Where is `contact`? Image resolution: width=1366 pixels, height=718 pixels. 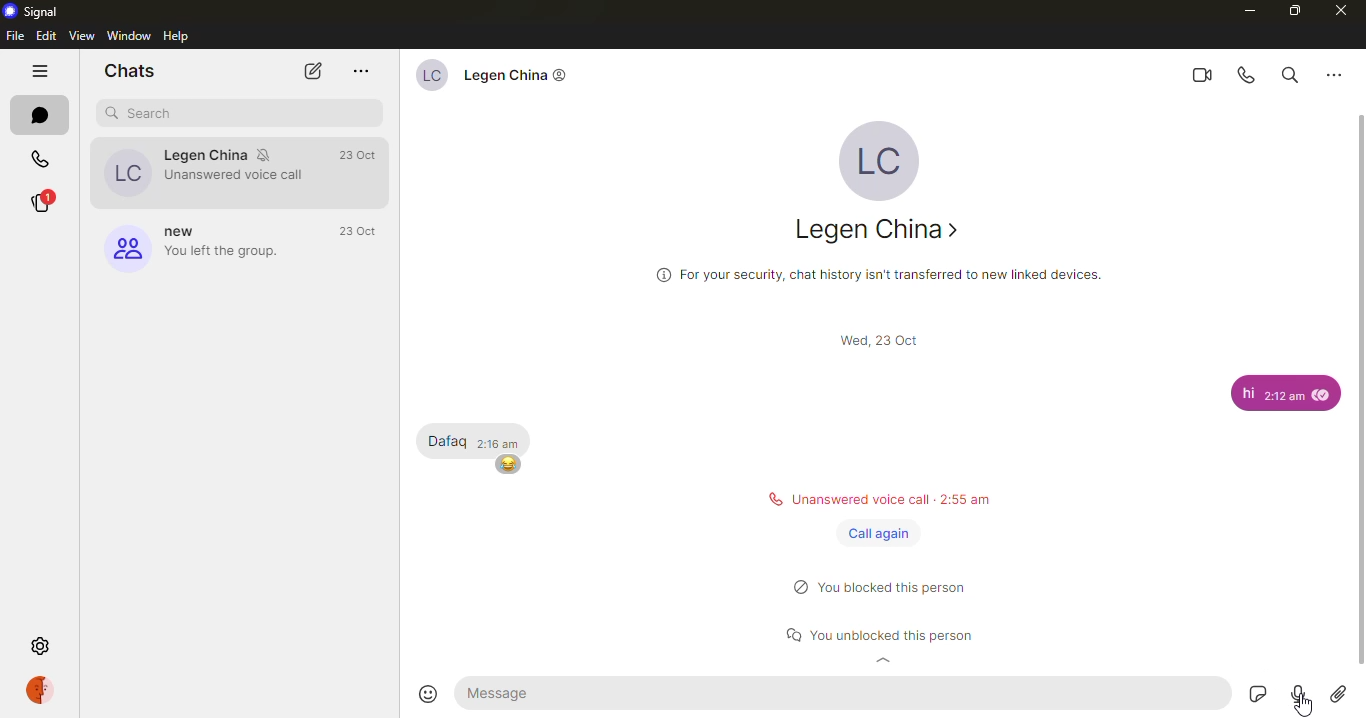
contact is located at coordinates (523, 75).